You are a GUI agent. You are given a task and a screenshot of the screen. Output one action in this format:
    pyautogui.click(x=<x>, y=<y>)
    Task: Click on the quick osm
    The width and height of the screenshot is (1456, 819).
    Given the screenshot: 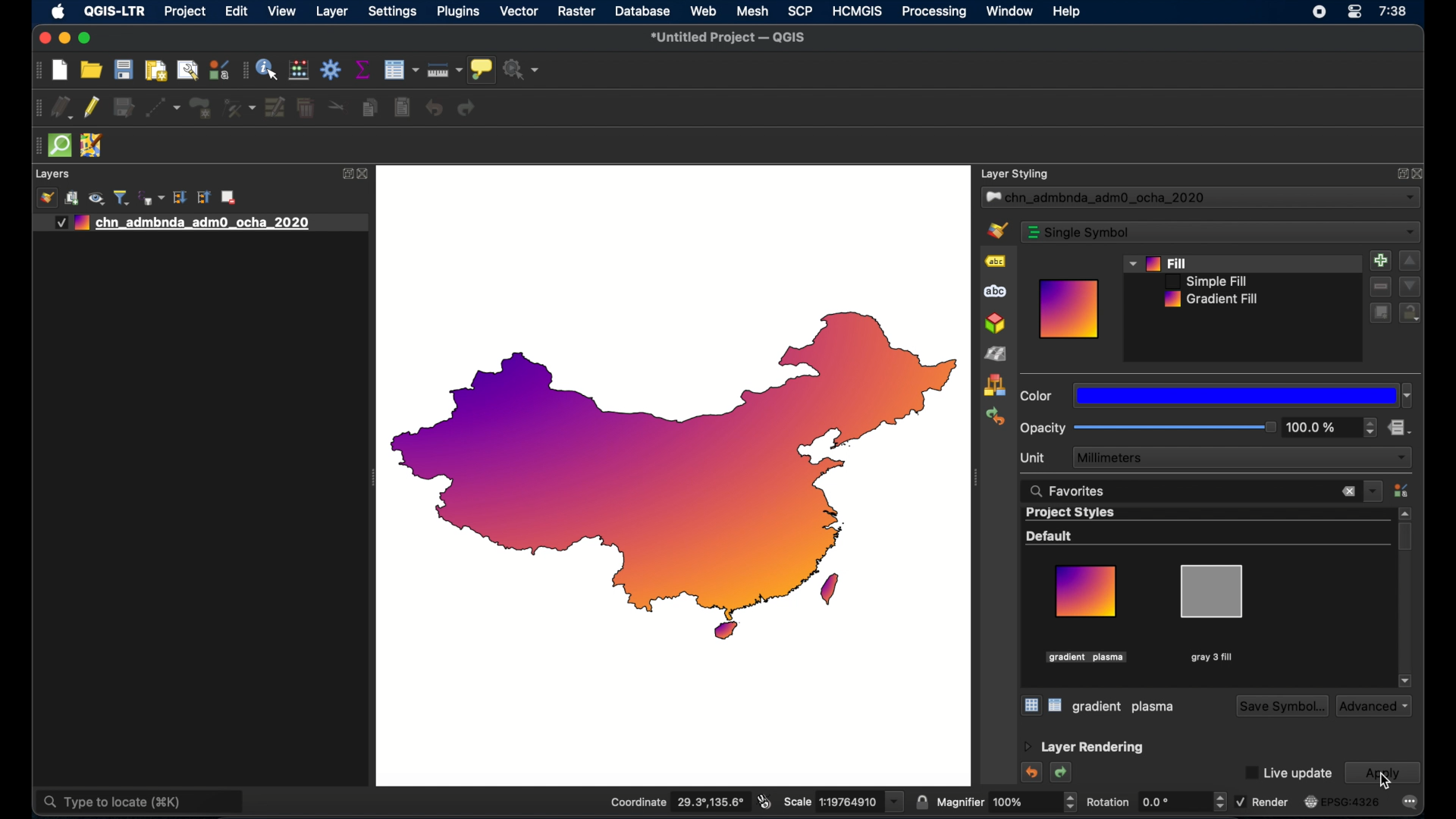 What is the action you would take?
    pyautogui.click(x=61, y=146)
    